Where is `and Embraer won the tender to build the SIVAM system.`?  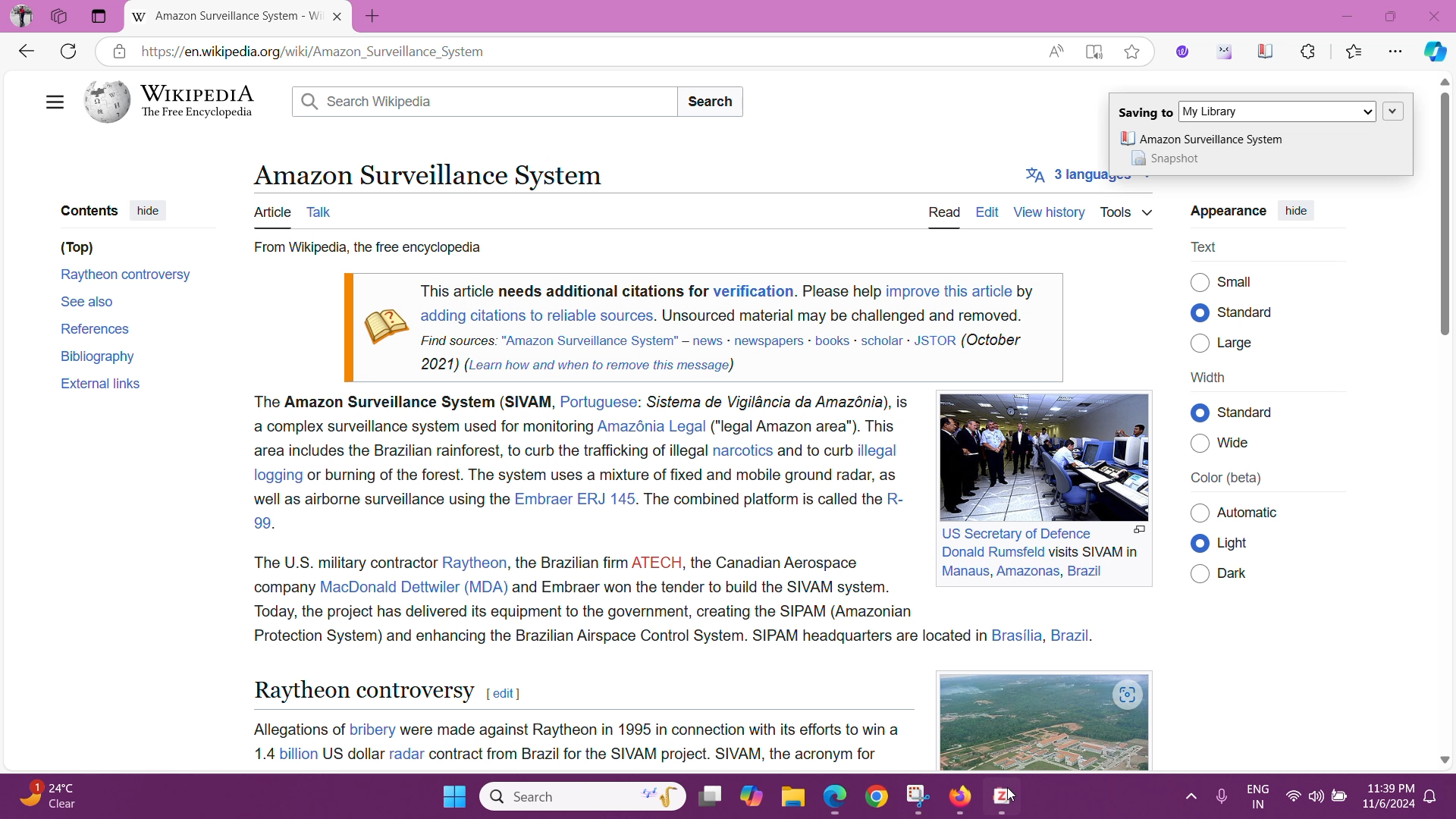
and Embraer won the tender to build the SIVAM system. is located at coordinates (703, 586).